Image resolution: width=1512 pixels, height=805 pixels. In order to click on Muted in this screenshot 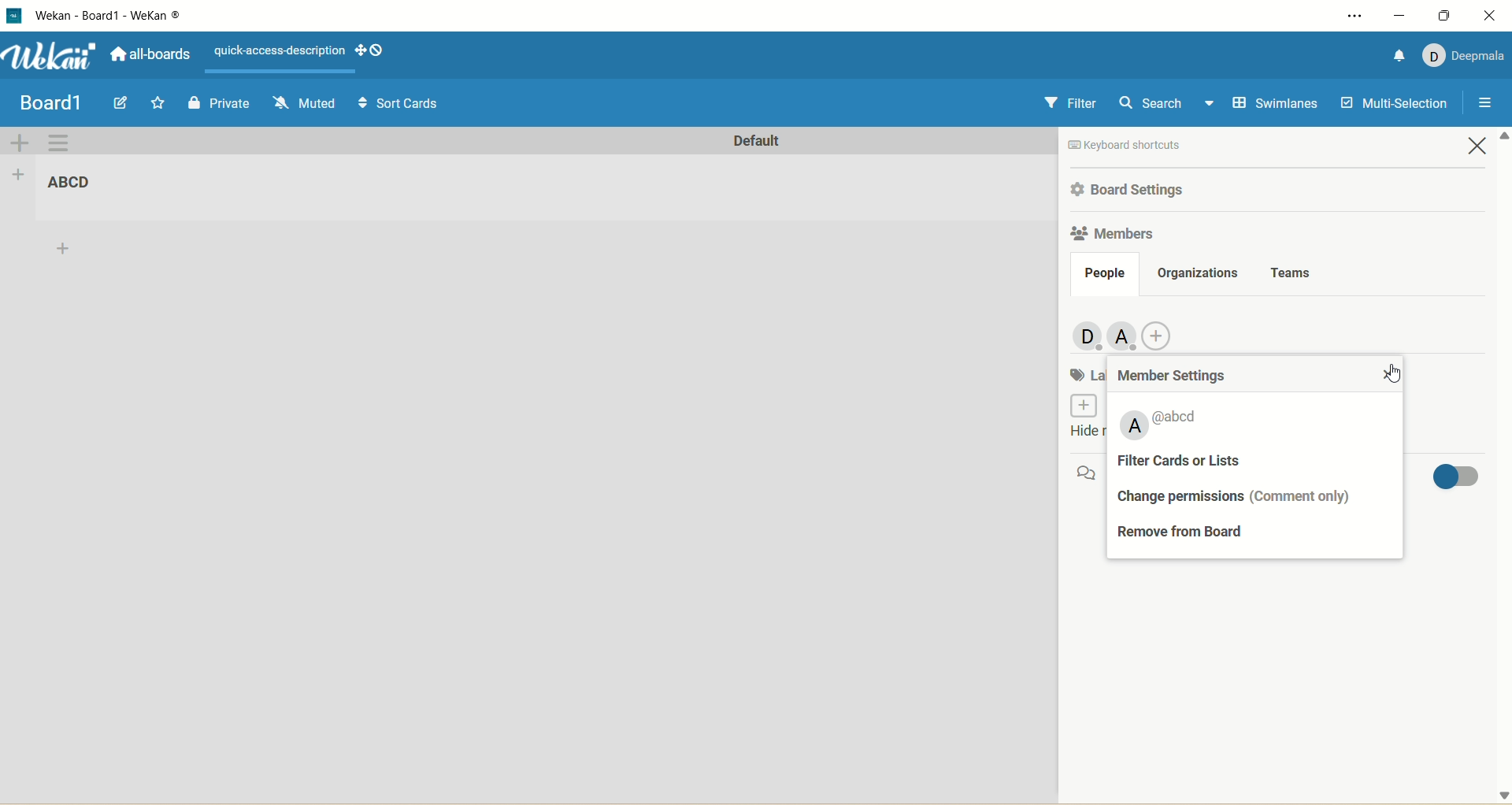, I will do `click(303, 101)`.